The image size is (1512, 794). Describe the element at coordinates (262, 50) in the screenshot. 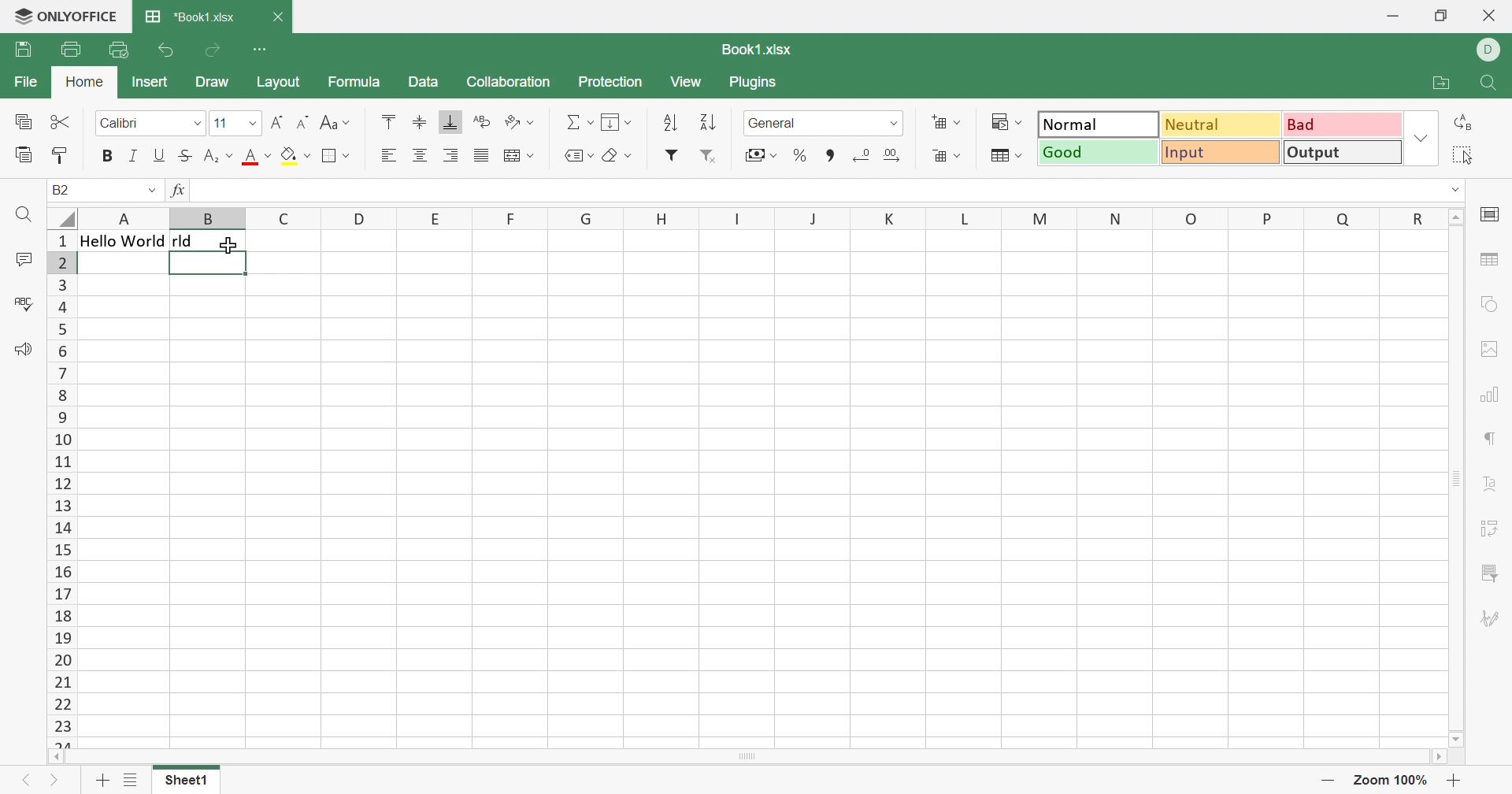

I see `Customize Quick Access Toolbar` at that location.